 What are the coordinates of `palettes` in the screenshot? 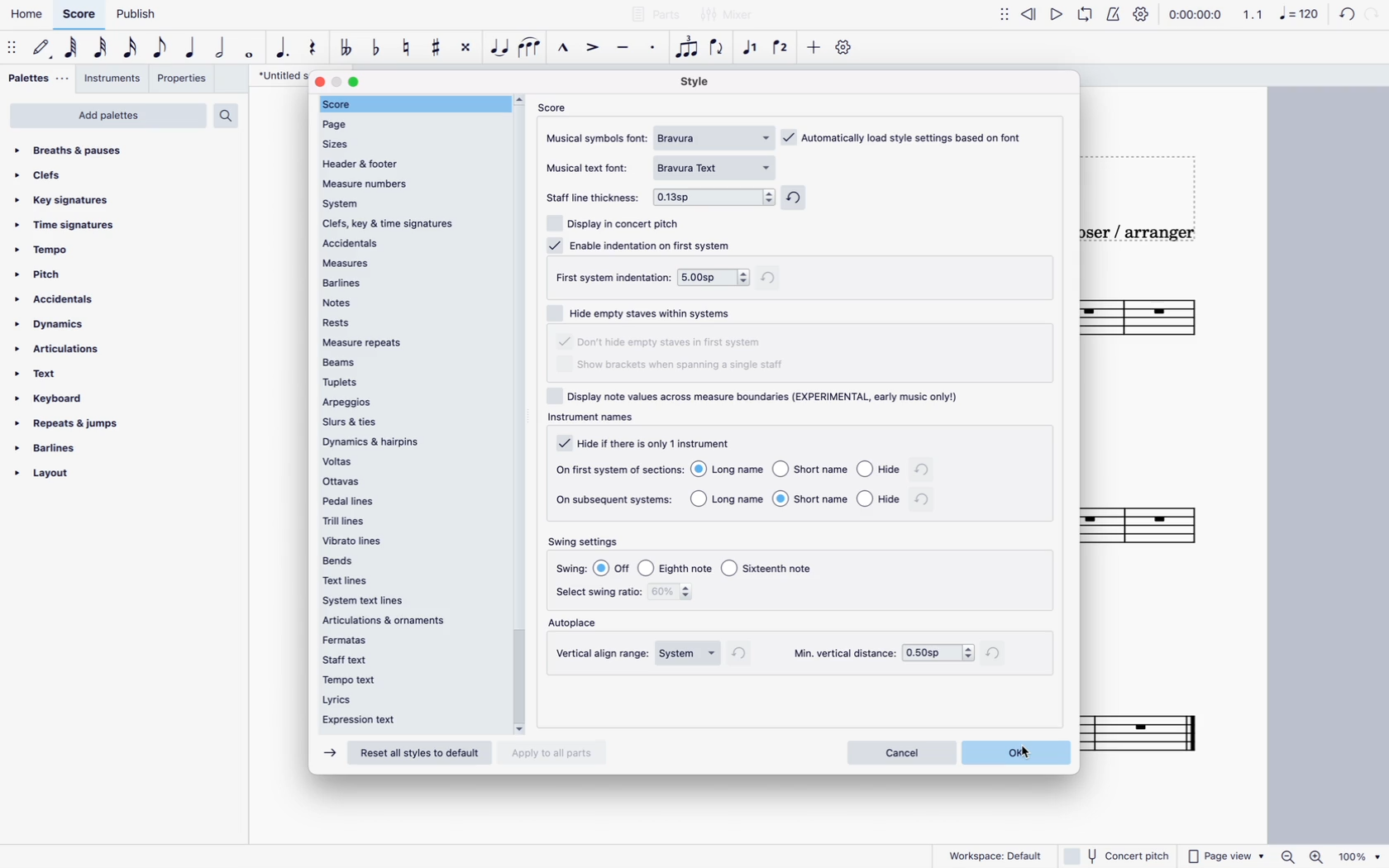 It's located at (39, 78).